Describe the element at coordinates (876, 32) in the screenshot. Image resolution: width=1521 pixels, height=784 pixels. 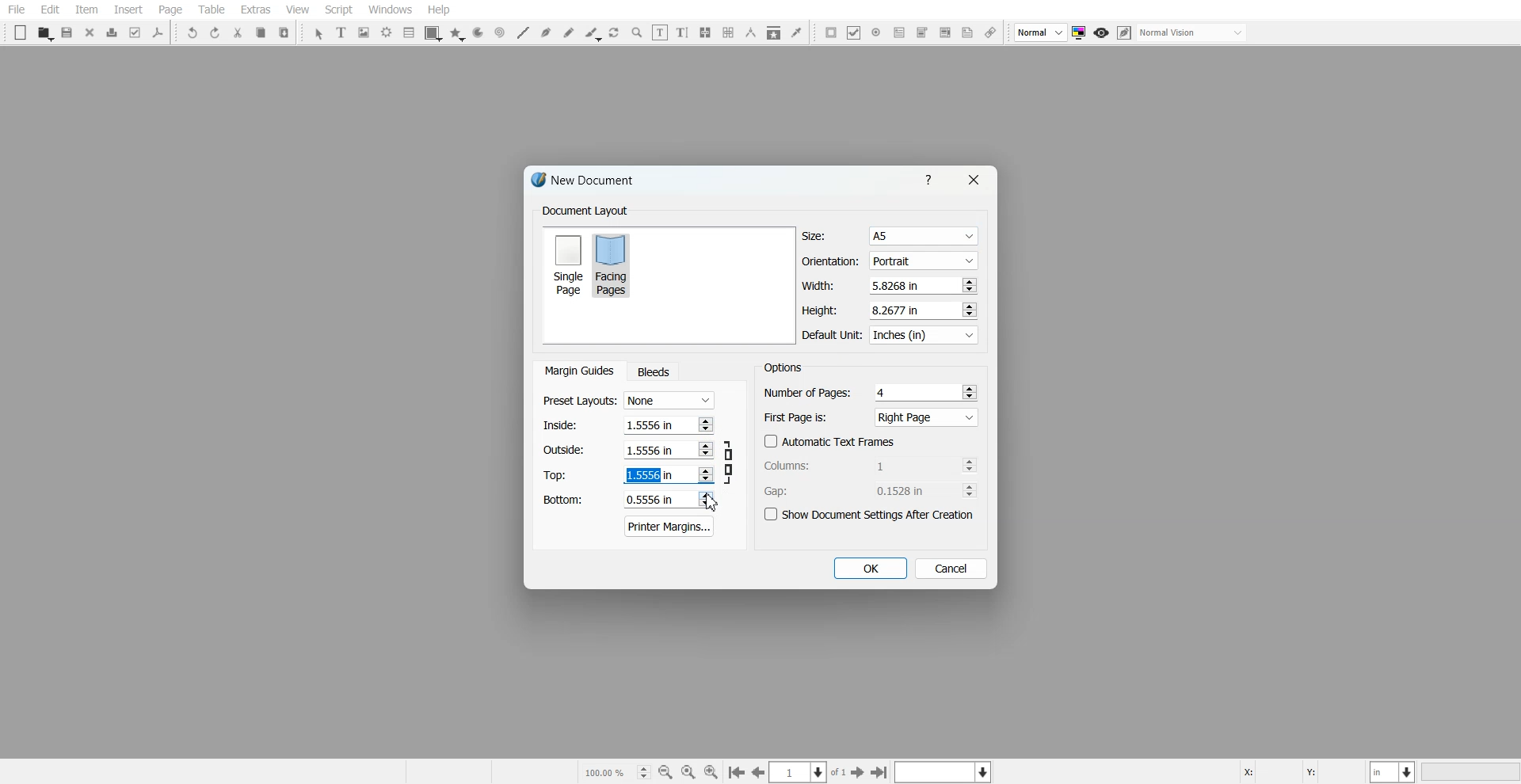
I see `PDF Radio Button` at that location.